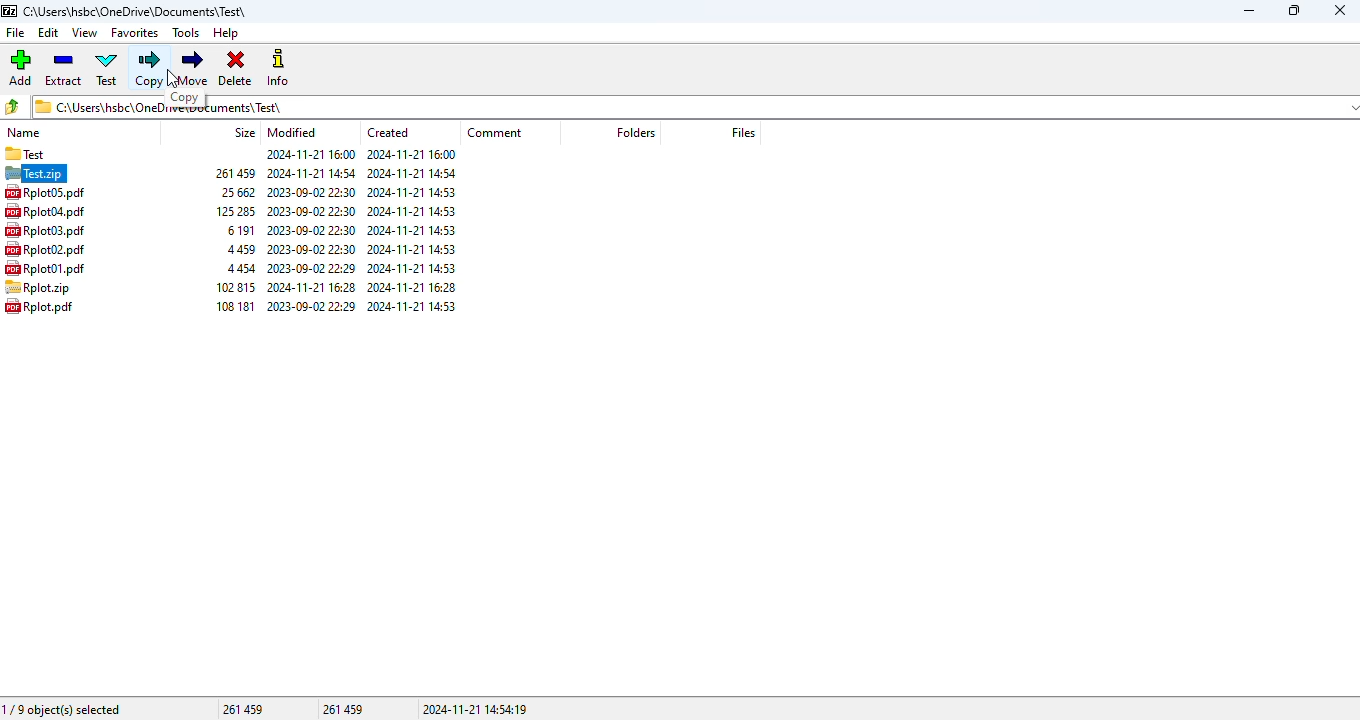 The height and width of the screenshot is (720, 1360). I want to click on modified date & time, so click(311, 306).